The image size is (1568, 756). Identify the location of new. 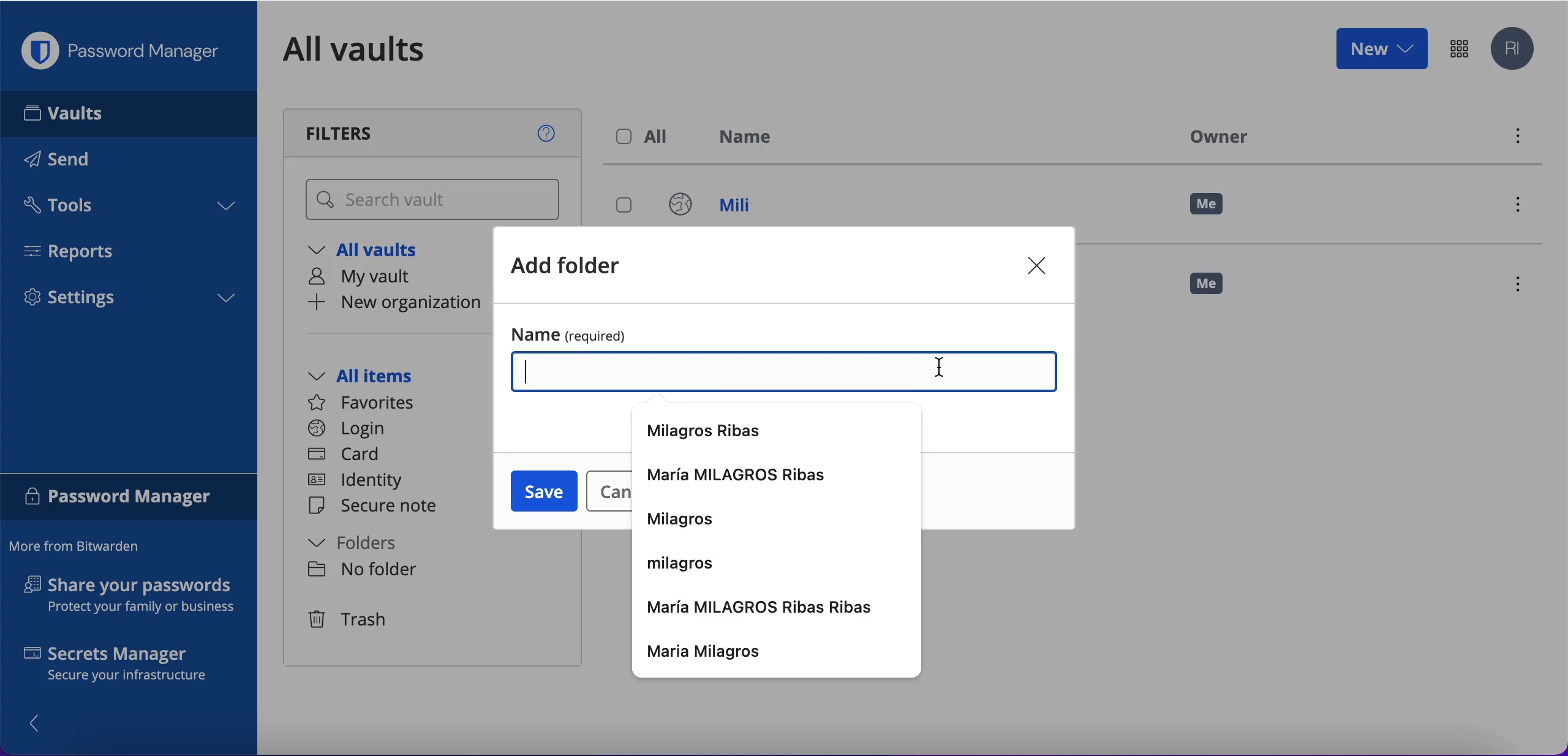
(1381, 48).